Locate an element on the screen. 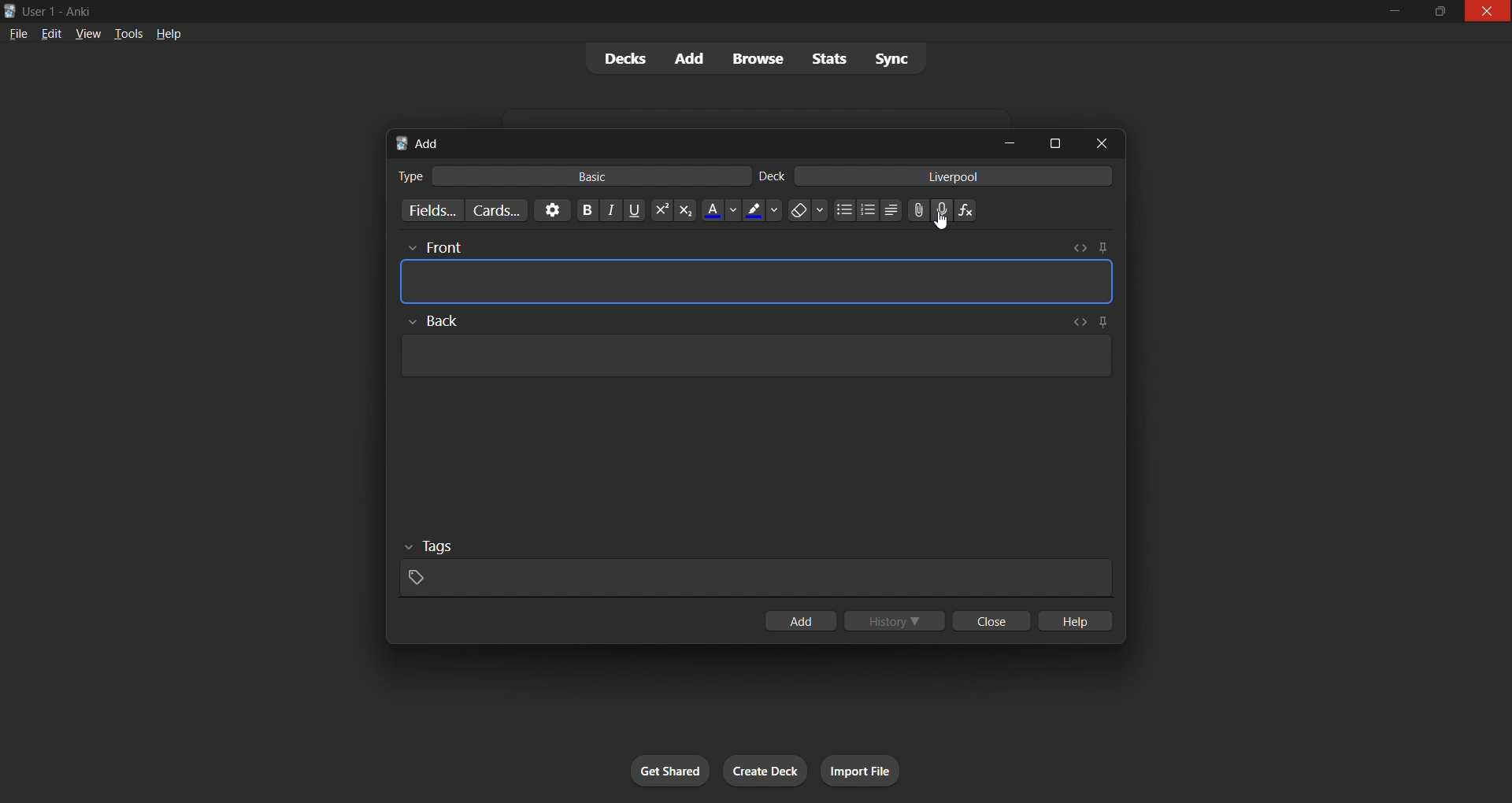 The image size is (1512, 803). minimize is located at coordinates (1013, 142).